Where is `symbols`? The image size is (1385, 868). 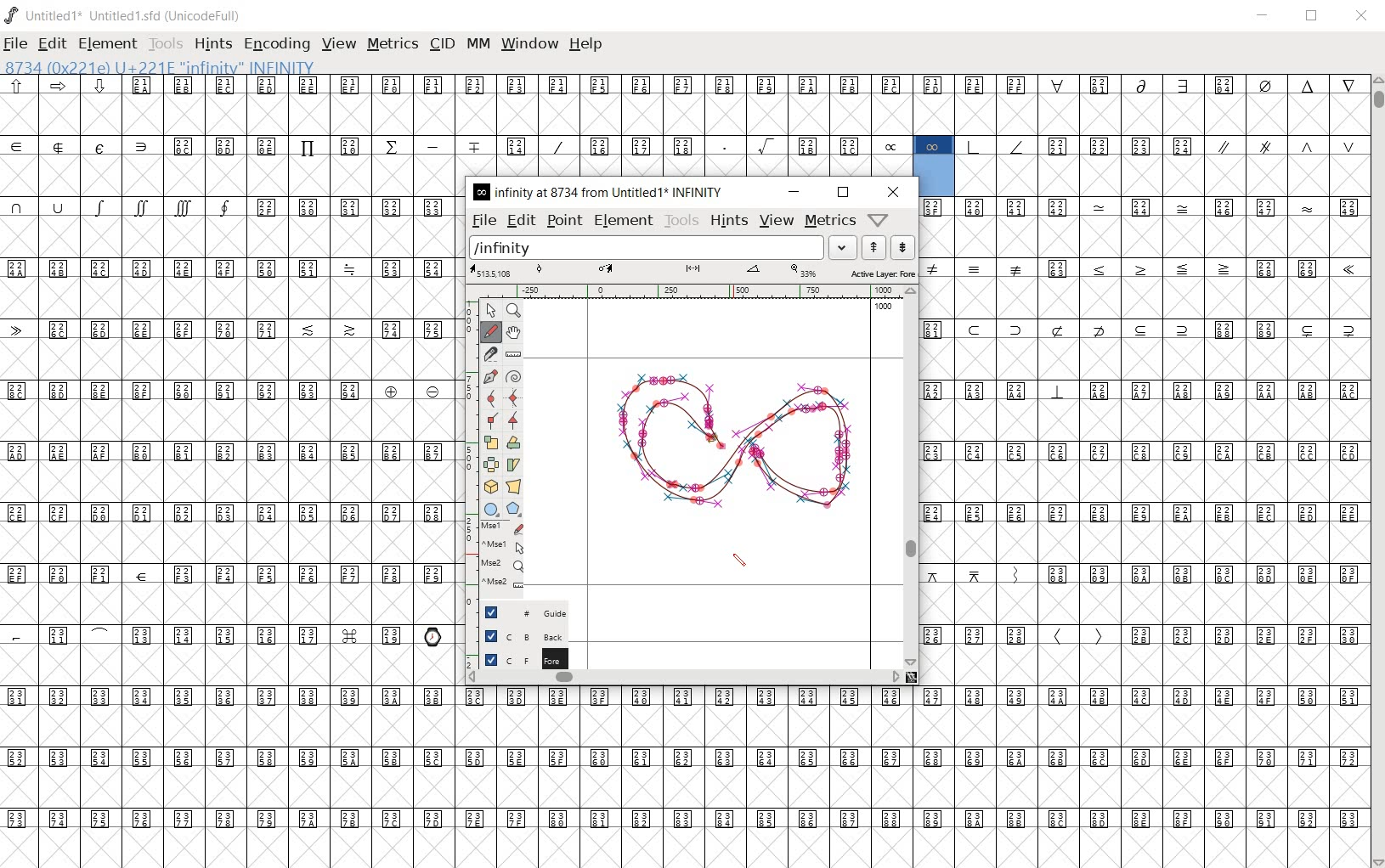 symbols is located at coordinates (979, 268).